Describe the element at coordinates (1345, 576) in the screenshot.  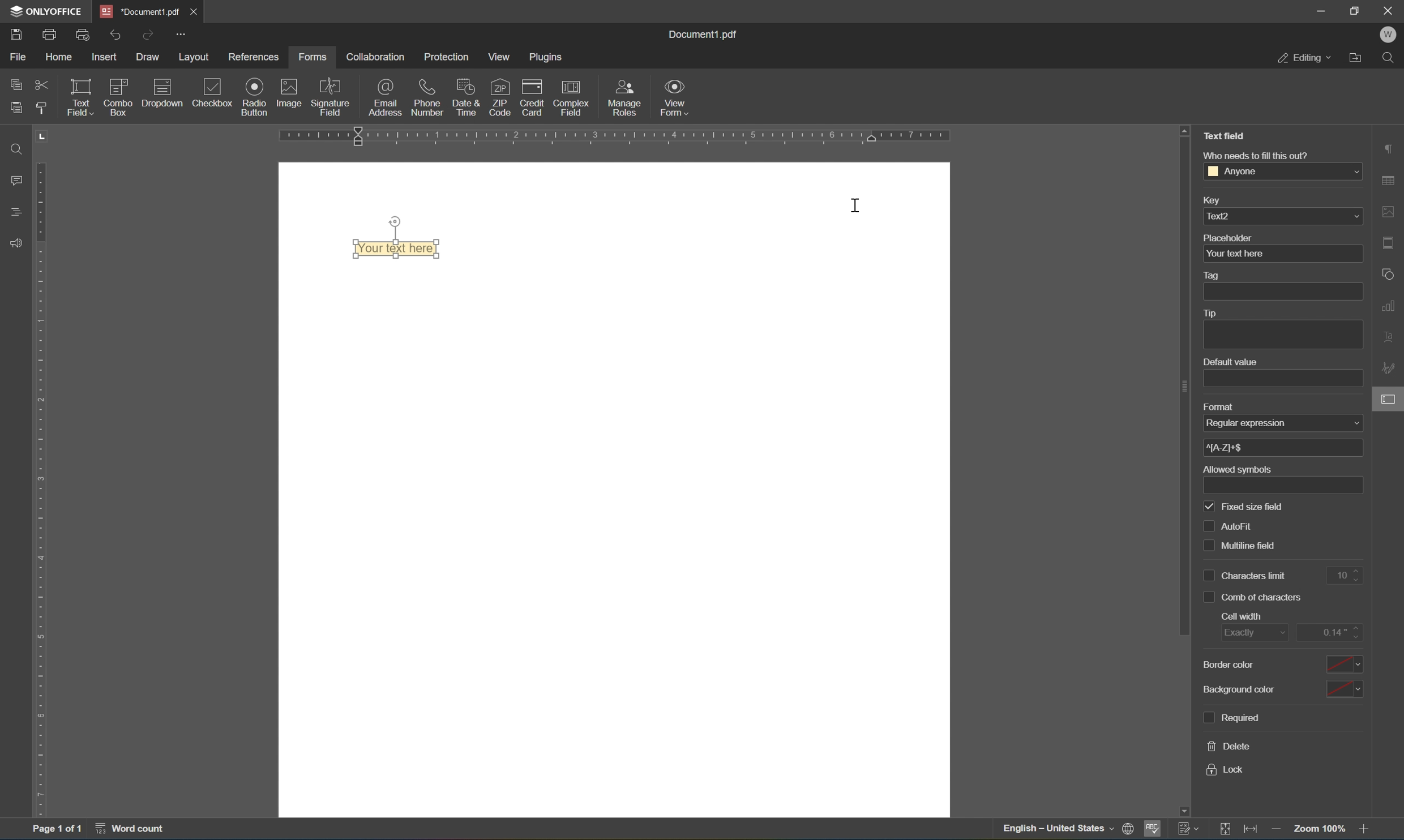
I see `10` at that location.